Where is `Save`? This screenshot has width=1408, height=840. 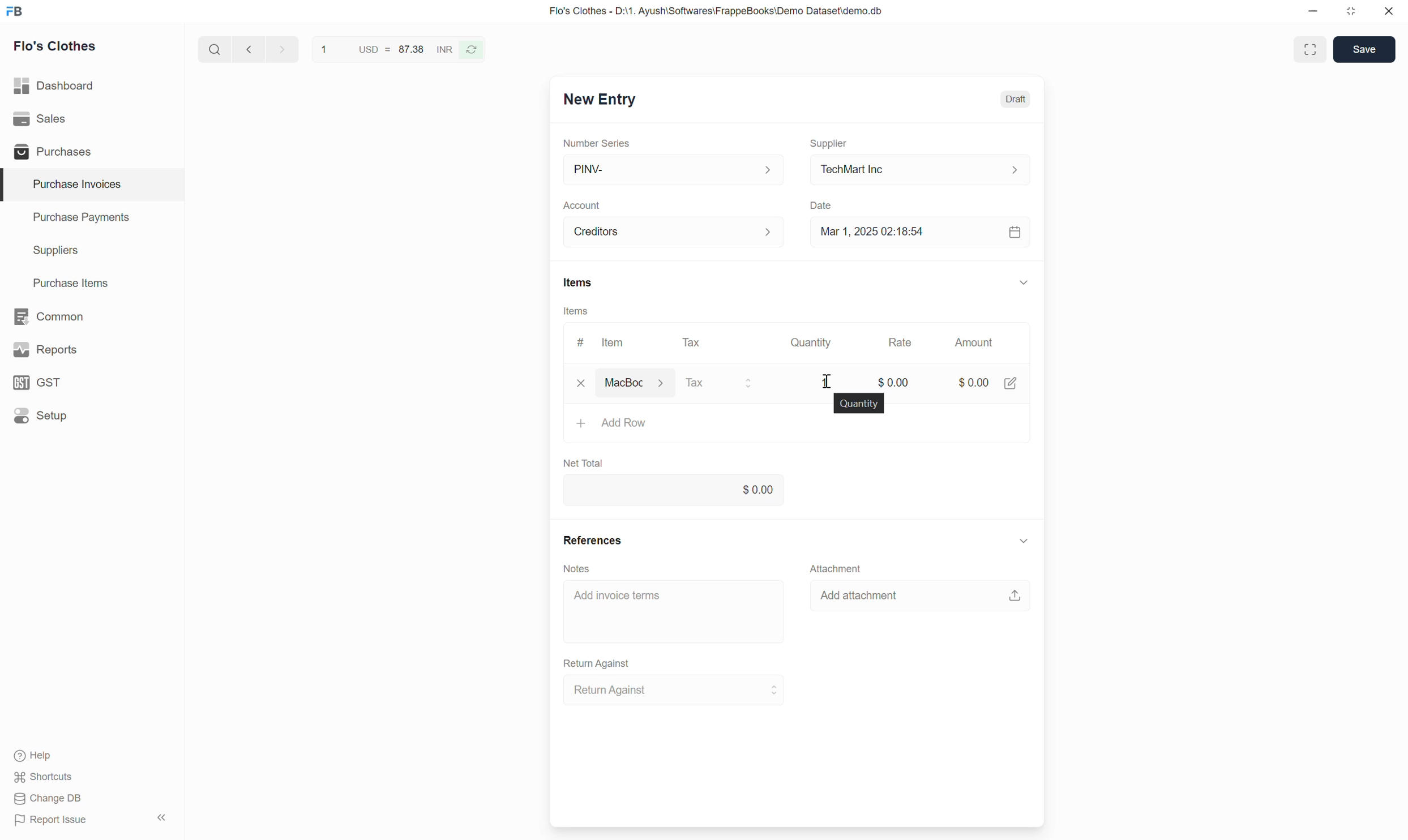 Save is located at coordinates (1364, 49).